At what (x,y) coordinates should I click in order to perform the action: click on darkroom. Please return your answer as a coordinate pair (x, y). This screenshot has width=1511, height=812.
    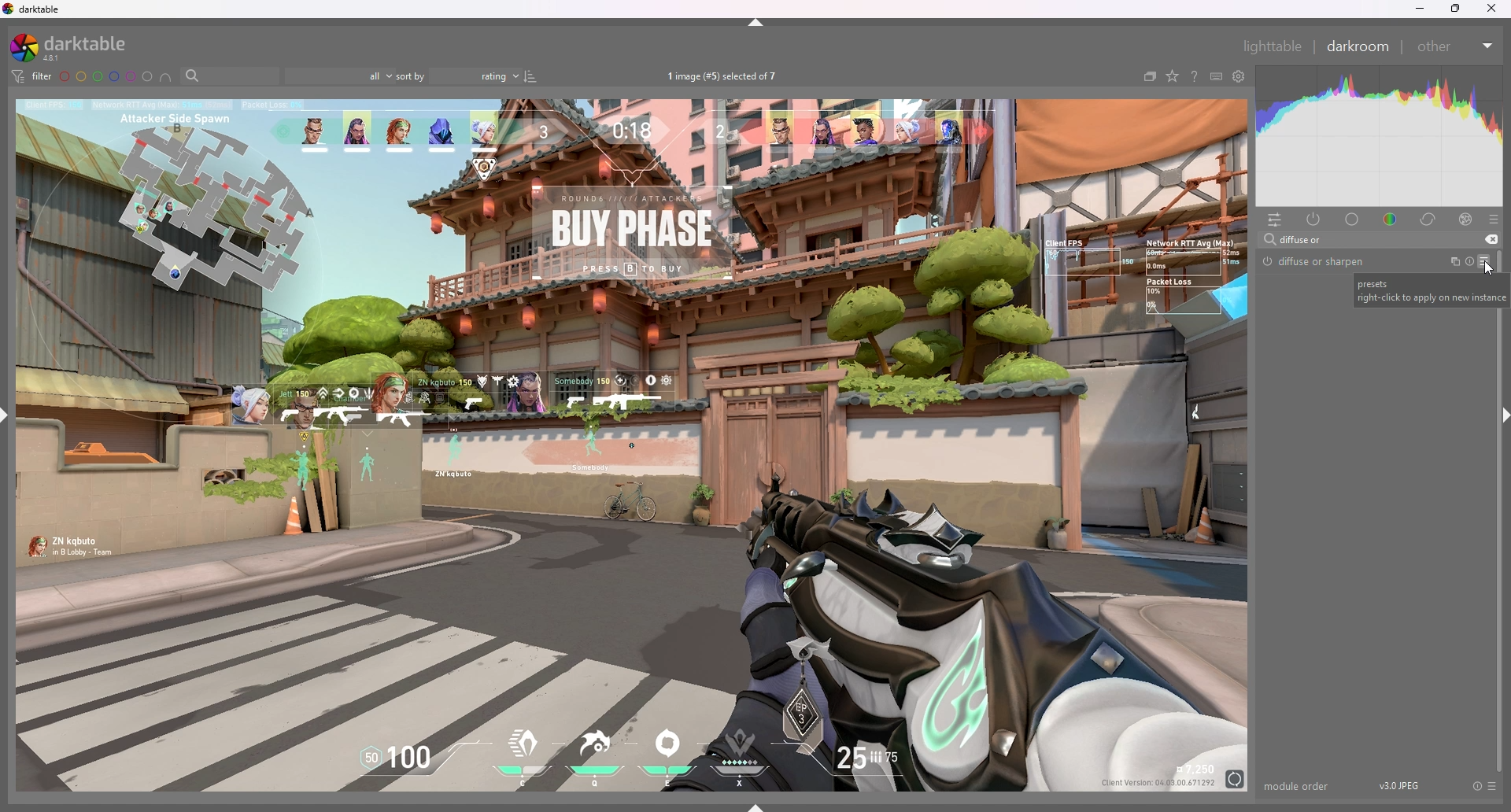
    Looking at the image, I should click on (1361, 46).